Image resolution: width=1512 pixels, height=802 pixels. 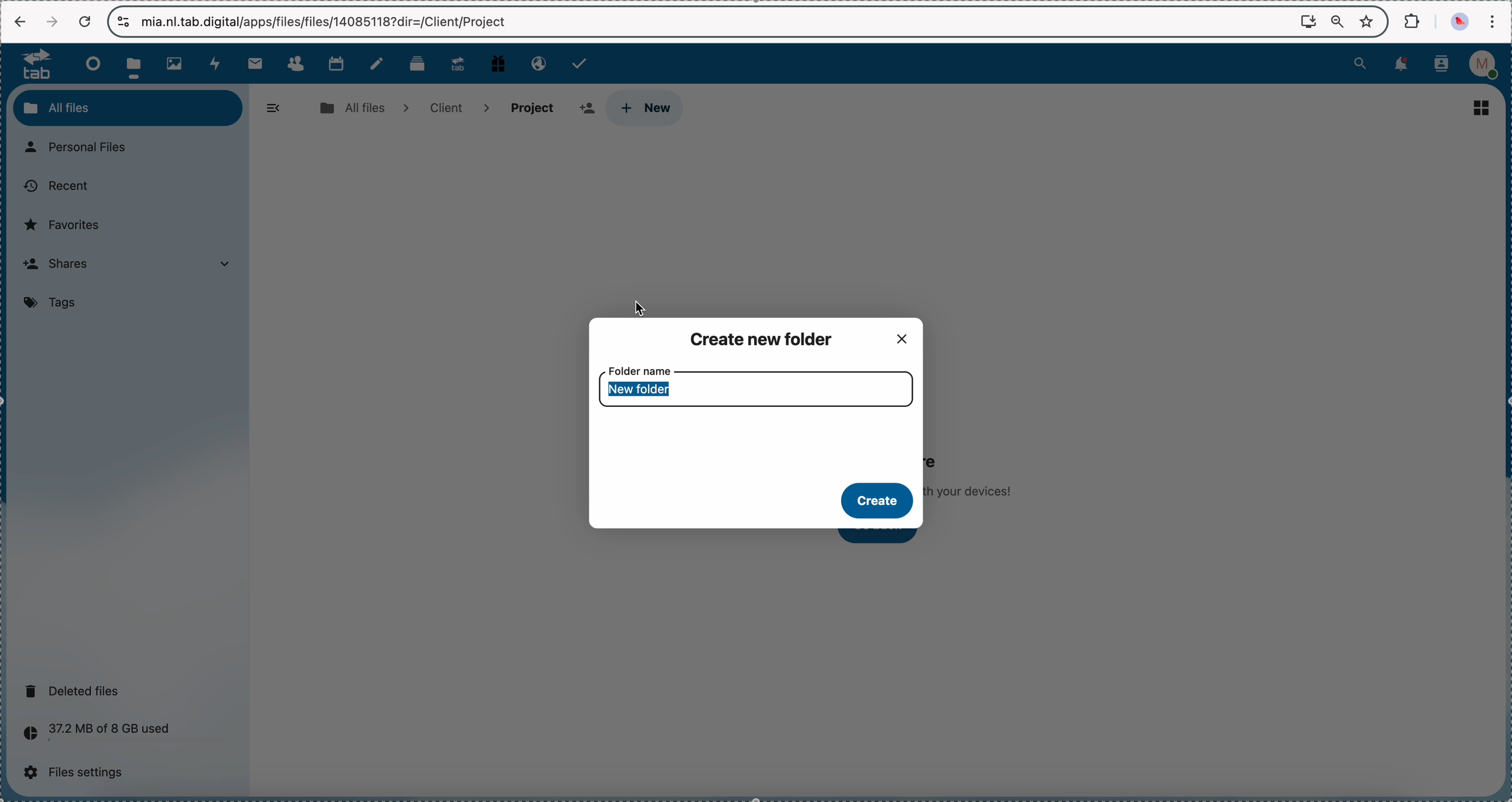 What do you see at coordinates (587, 109) in the screenshot?
I see `add` at bounding box center [587, 109].